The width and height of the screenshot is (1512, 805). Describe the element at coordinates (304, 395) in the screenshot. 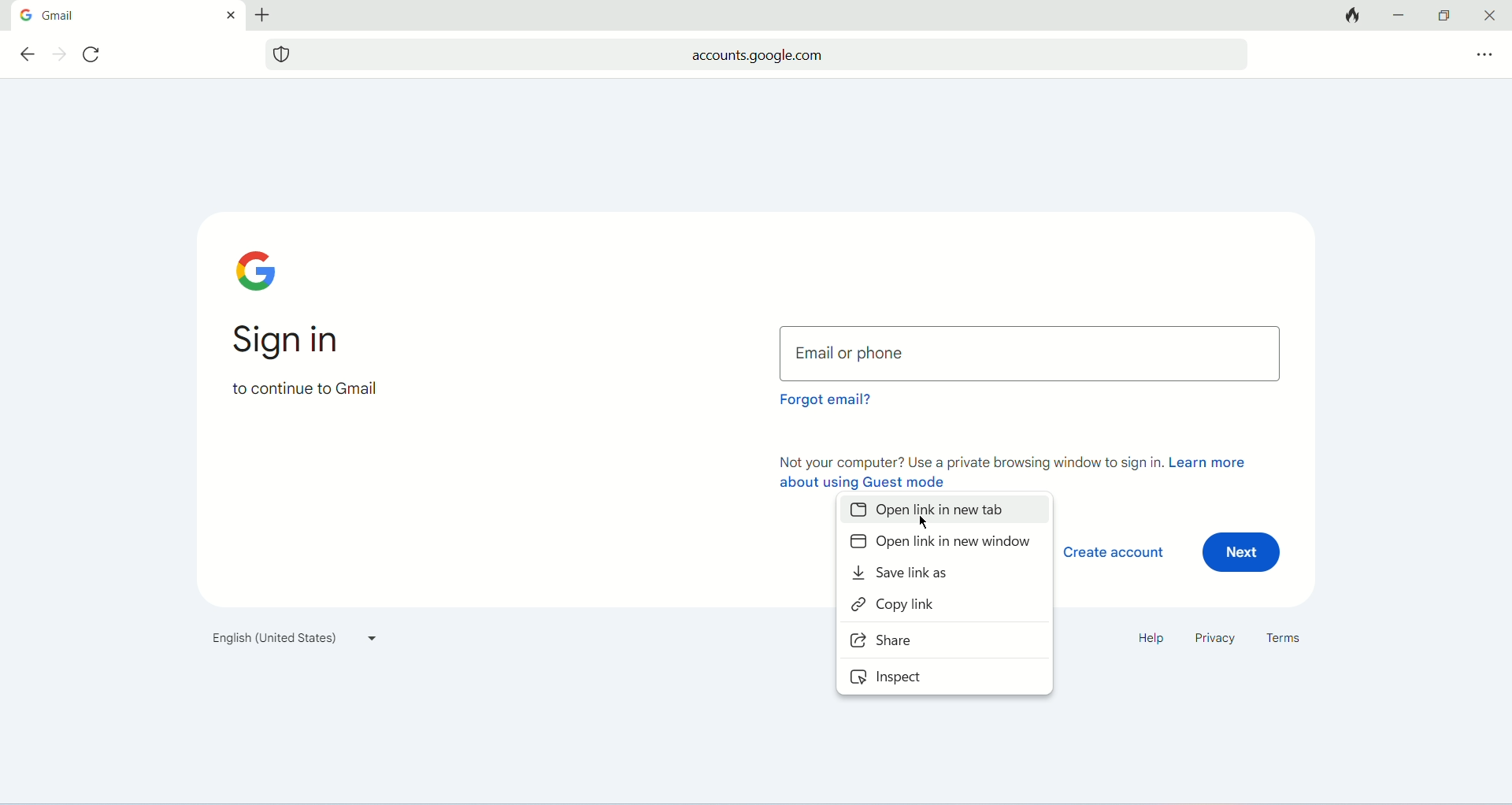

I see `to continue to gmail` at that location.